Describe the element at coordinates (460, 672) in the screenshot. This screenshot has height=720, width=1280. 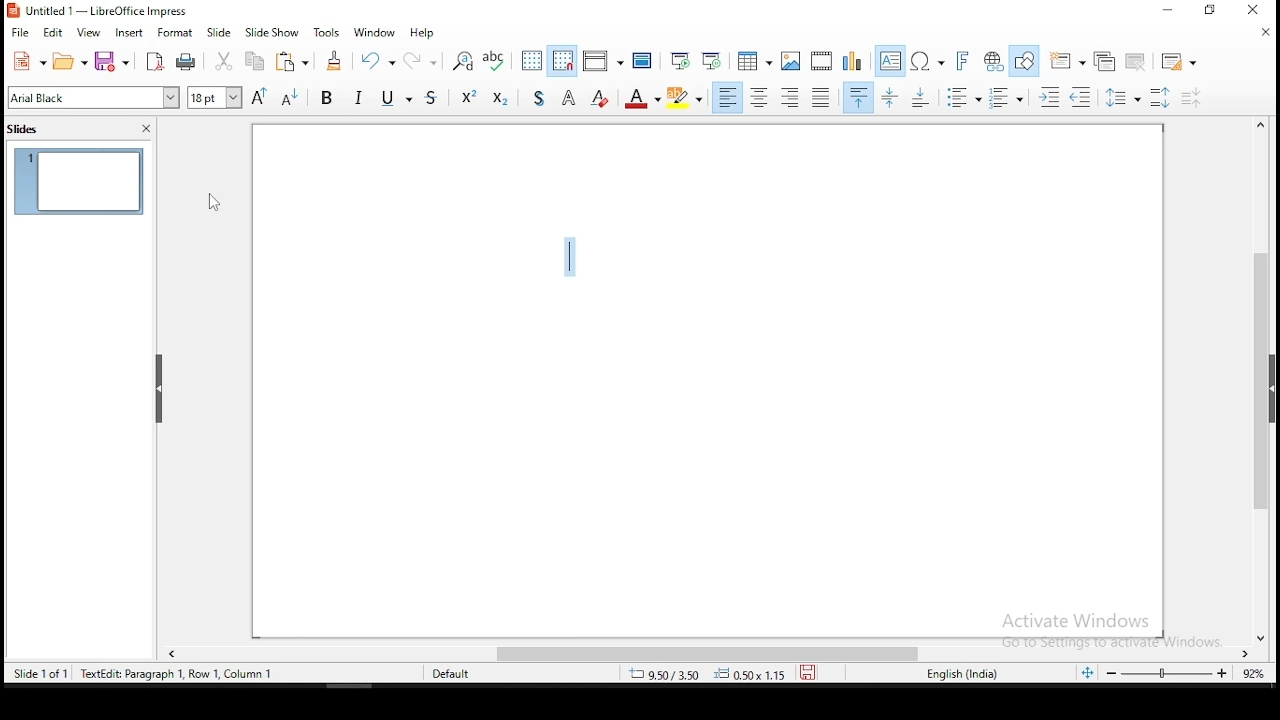
I see `Default` at that location.